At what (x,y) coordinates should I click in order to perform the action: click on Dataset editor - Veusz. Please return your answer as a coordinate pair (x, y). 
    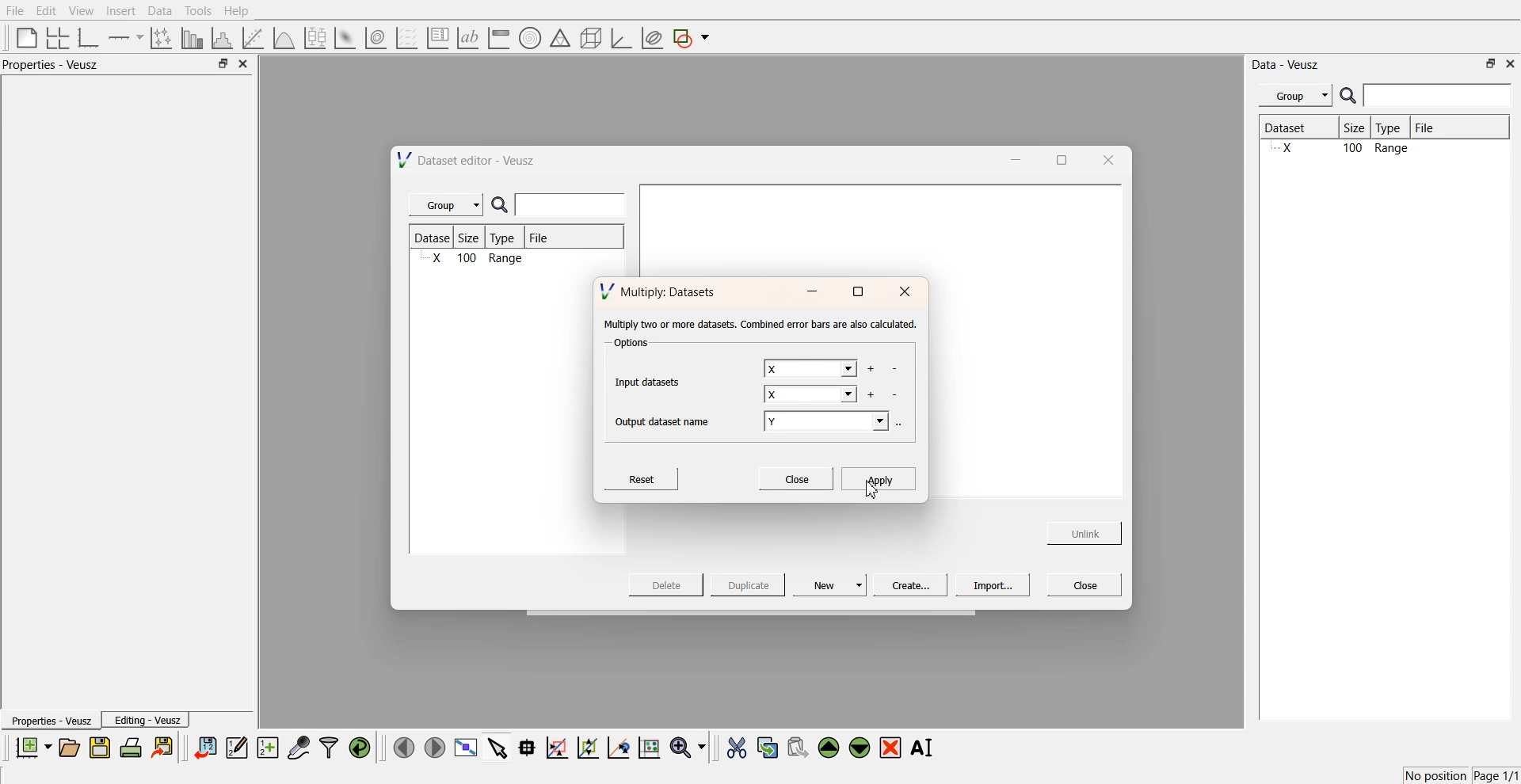
    Looking at the image, I should click on (468, 160).